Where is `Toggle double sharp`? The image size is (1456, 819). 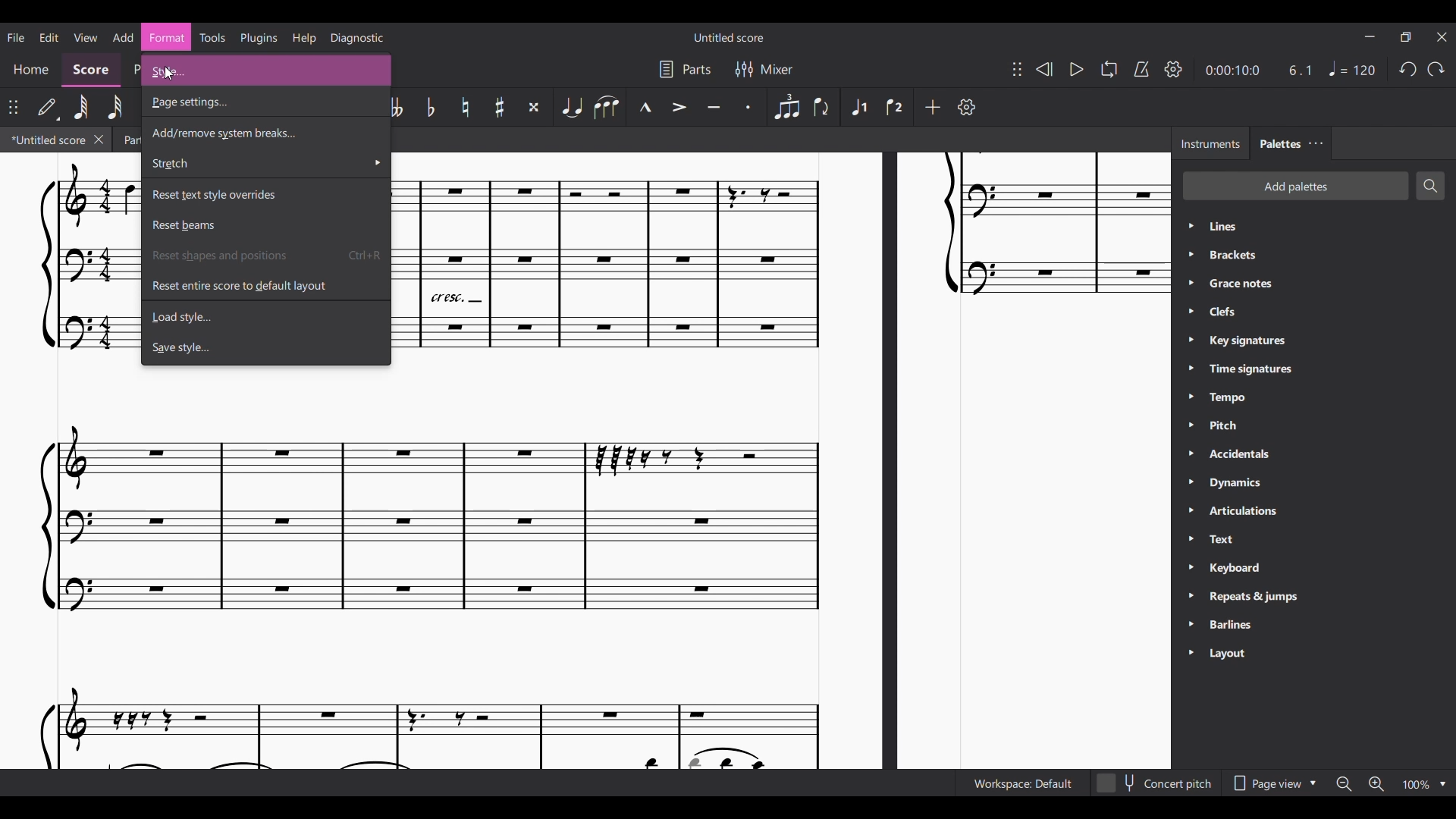
Toggle double sharp is located at coordinates (536, 107).